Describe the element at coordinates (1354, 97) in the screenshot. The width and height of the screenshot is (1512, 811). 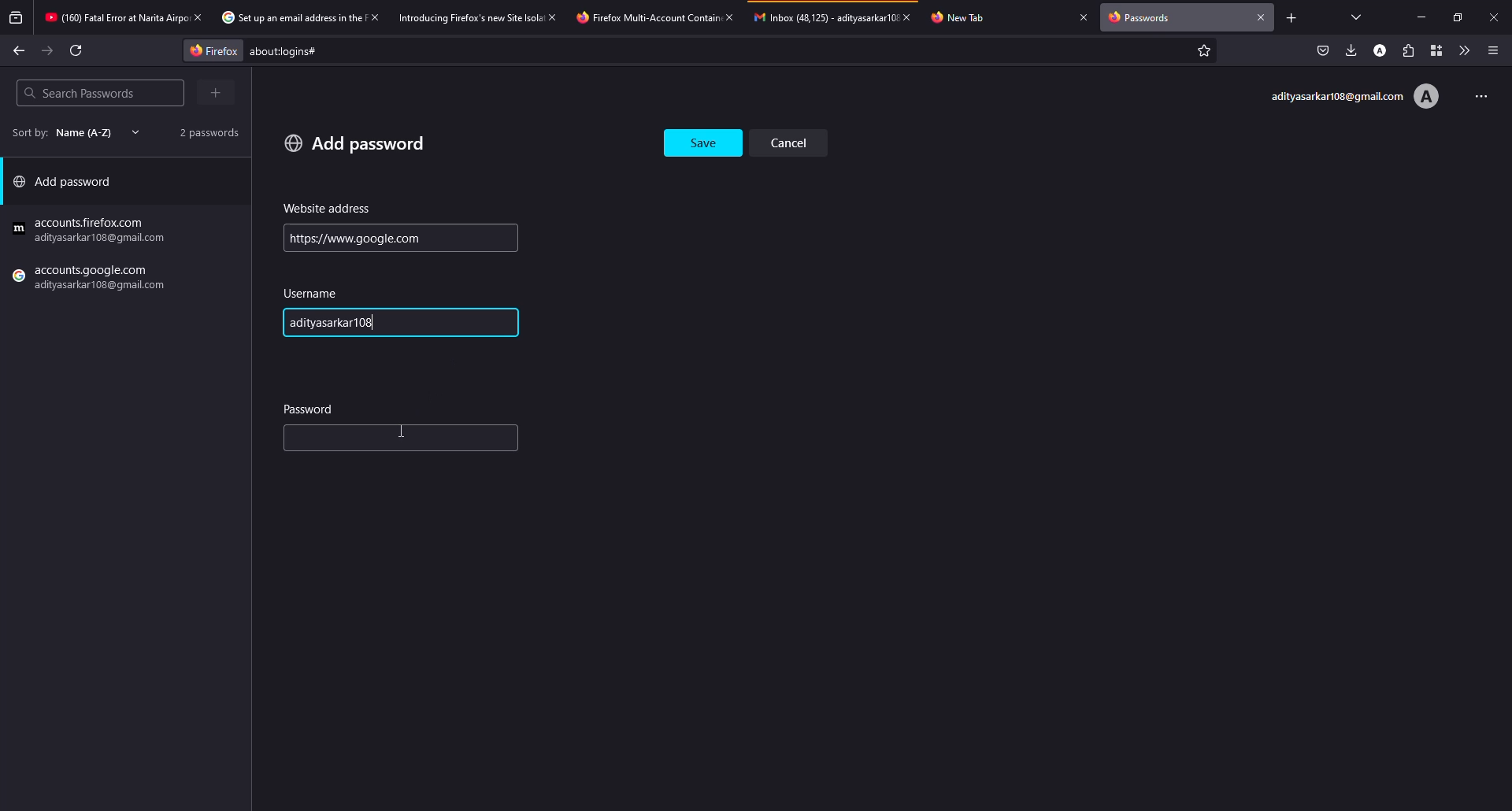
I see `account` at that location.